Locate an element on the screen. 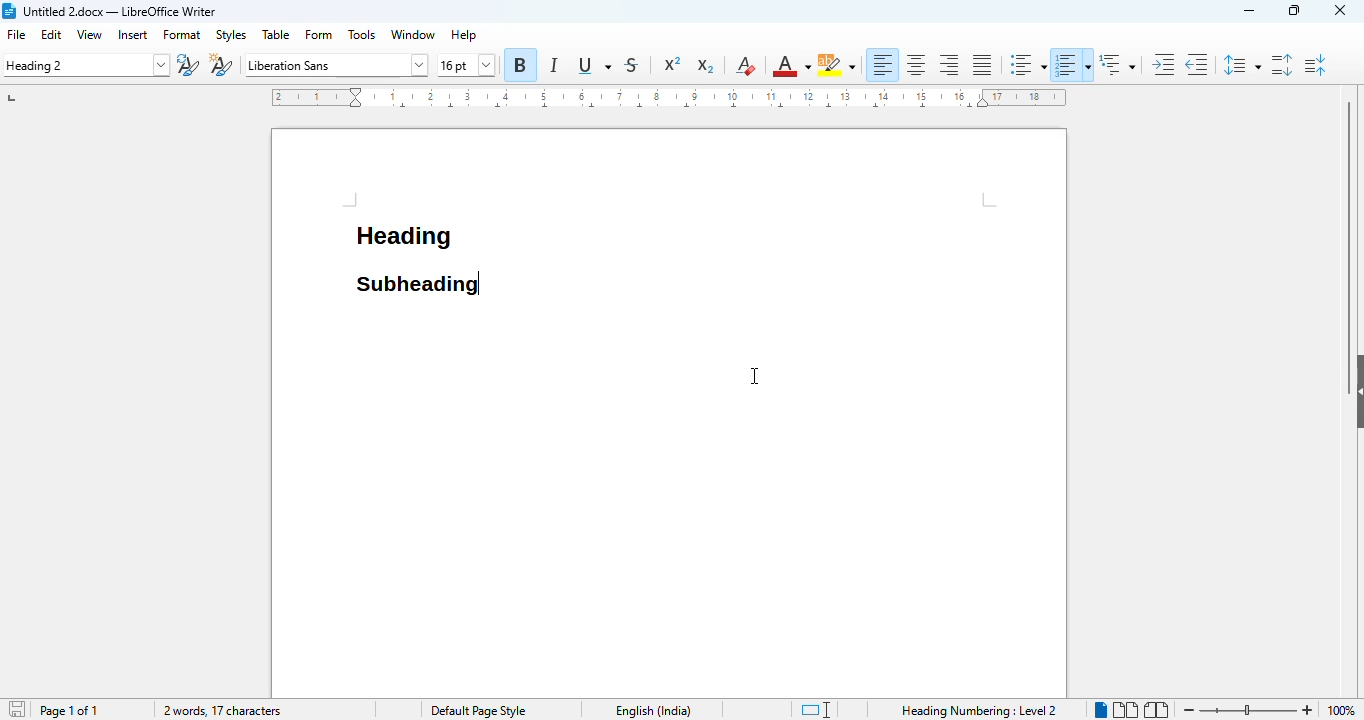 Image resolution: width=1364 pixels, height=720 pixels. help is located at coordinates (465, 35).